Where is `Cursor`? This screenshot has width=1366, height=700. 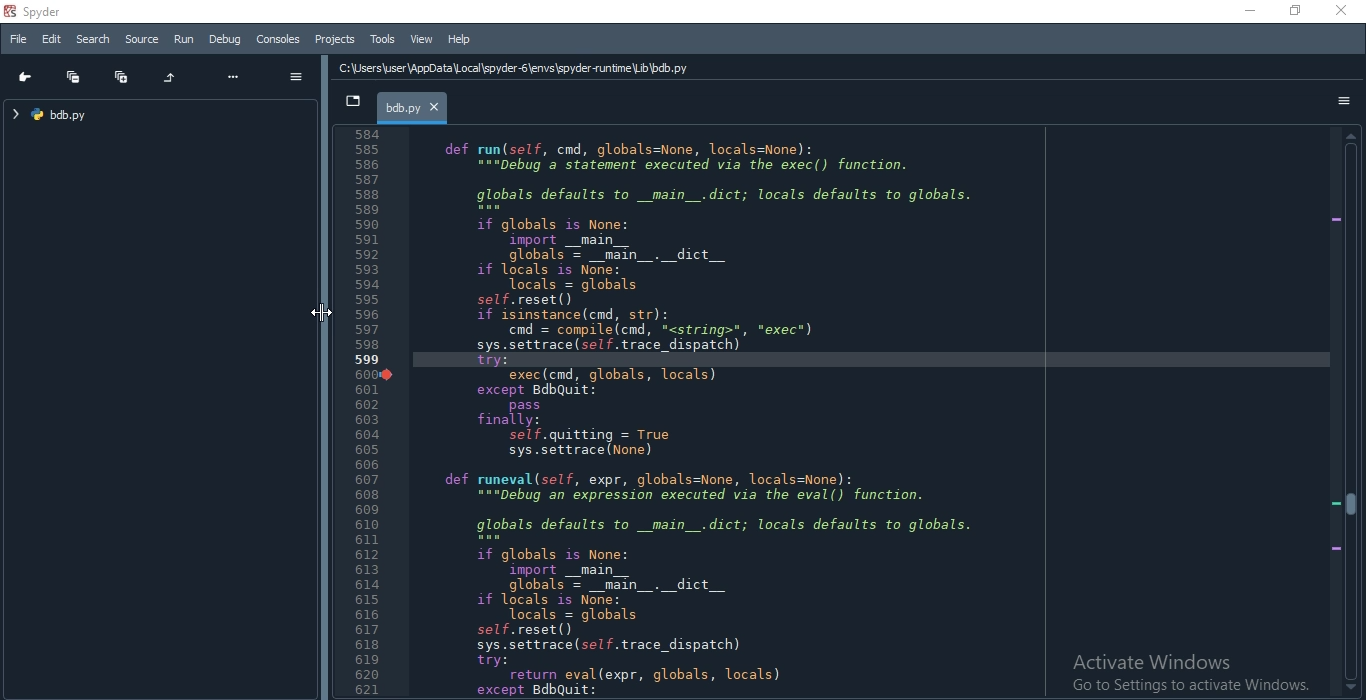 Cursor is located at coordinates (319, 312).